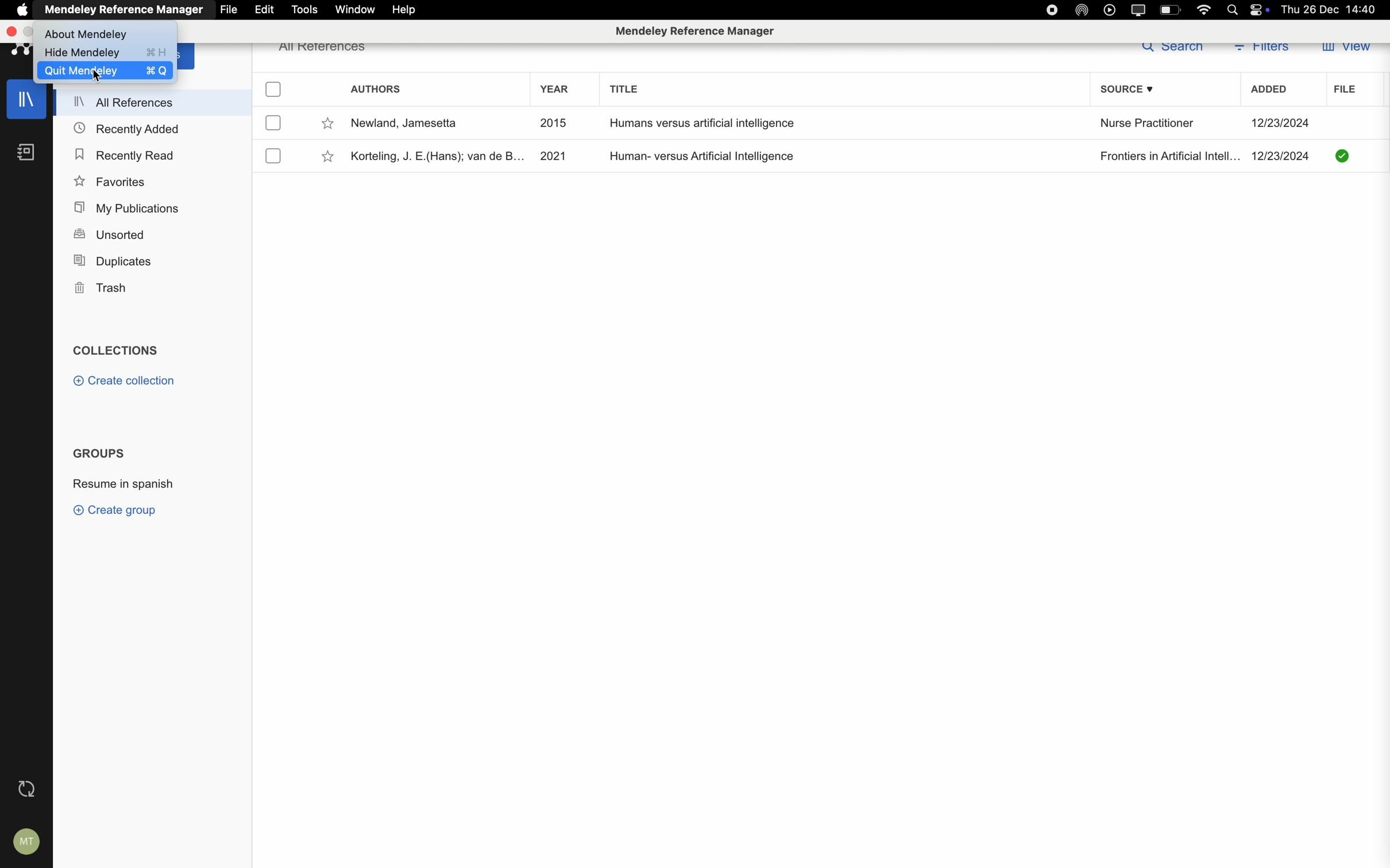  I want to click on tools, so click(303, 9).